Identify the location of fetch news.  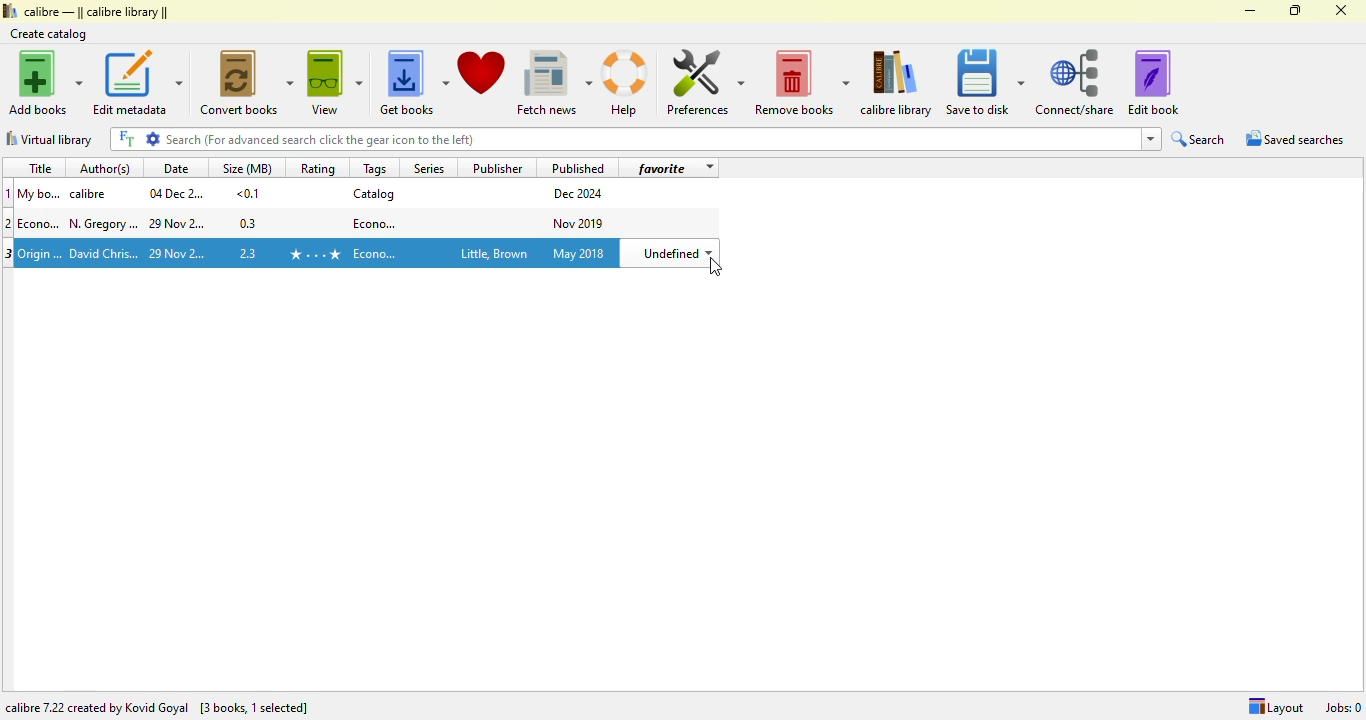
(554, 83).